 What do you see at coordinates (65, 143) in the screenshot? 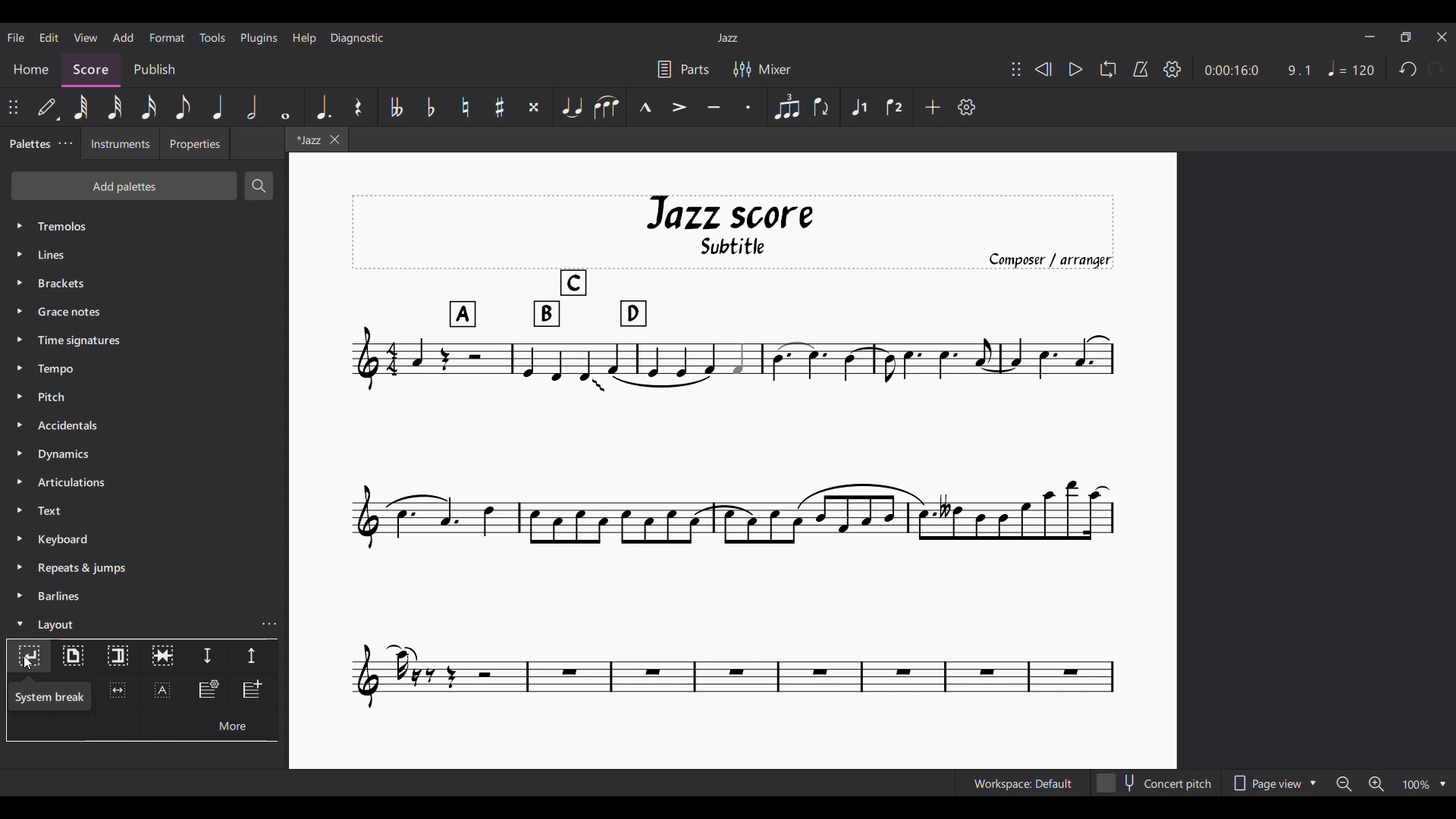
I see `Palette settings` at bounding box center [65, 143].